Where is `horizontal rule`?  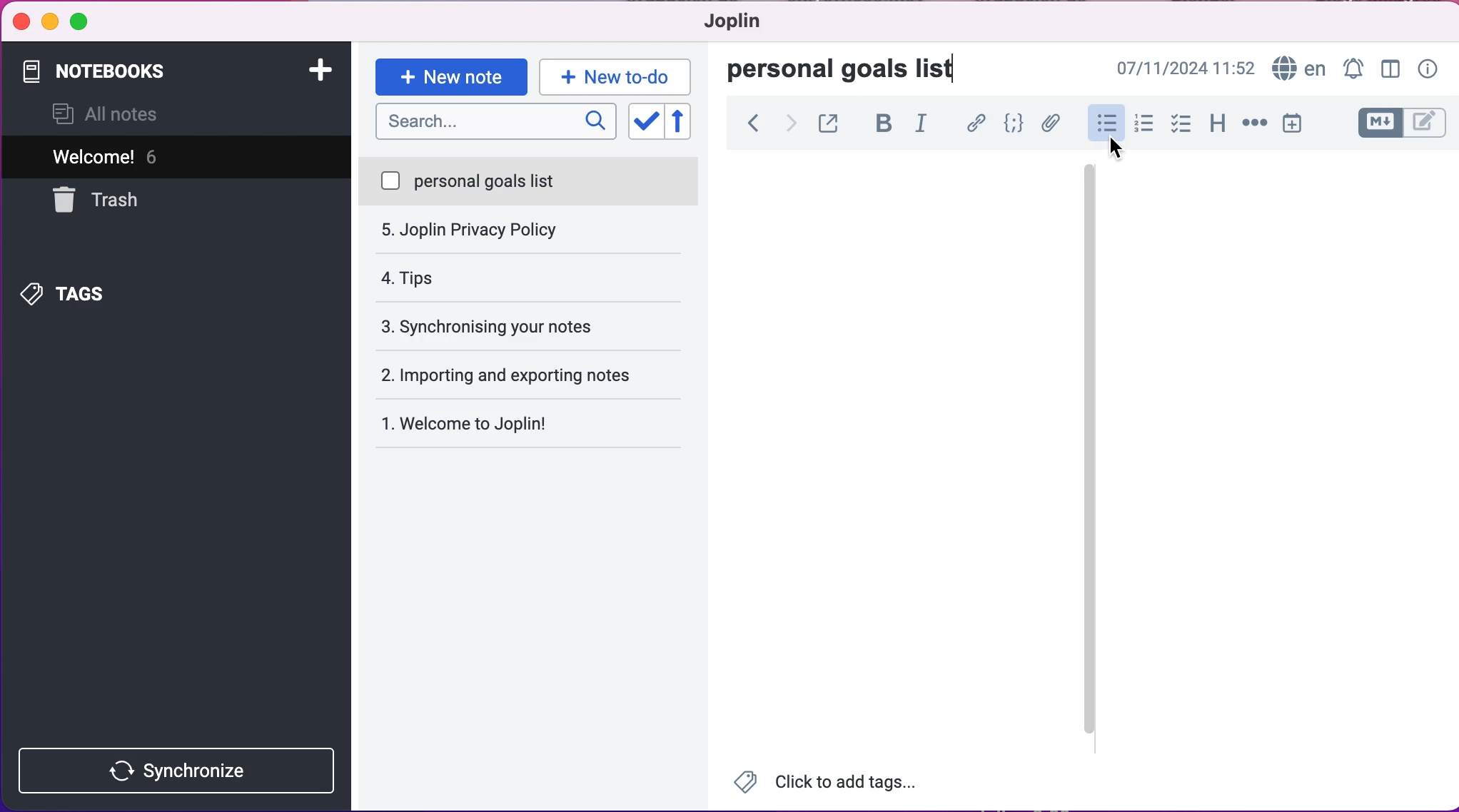
horizontal rule is located at coordinates (1252, 128).